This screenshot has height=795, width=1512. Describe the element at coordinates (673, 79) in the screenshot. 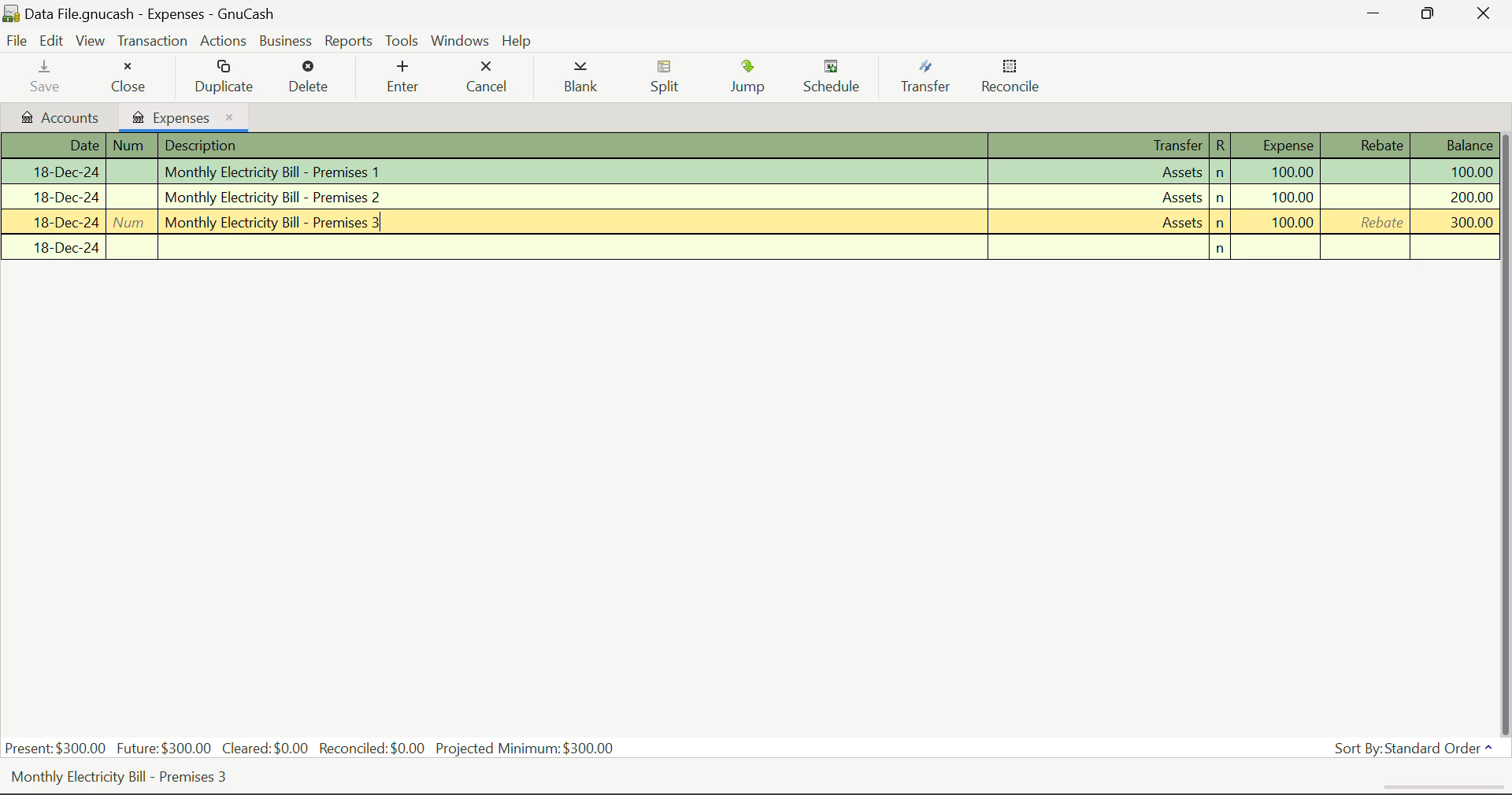

I see `Split` at that location.